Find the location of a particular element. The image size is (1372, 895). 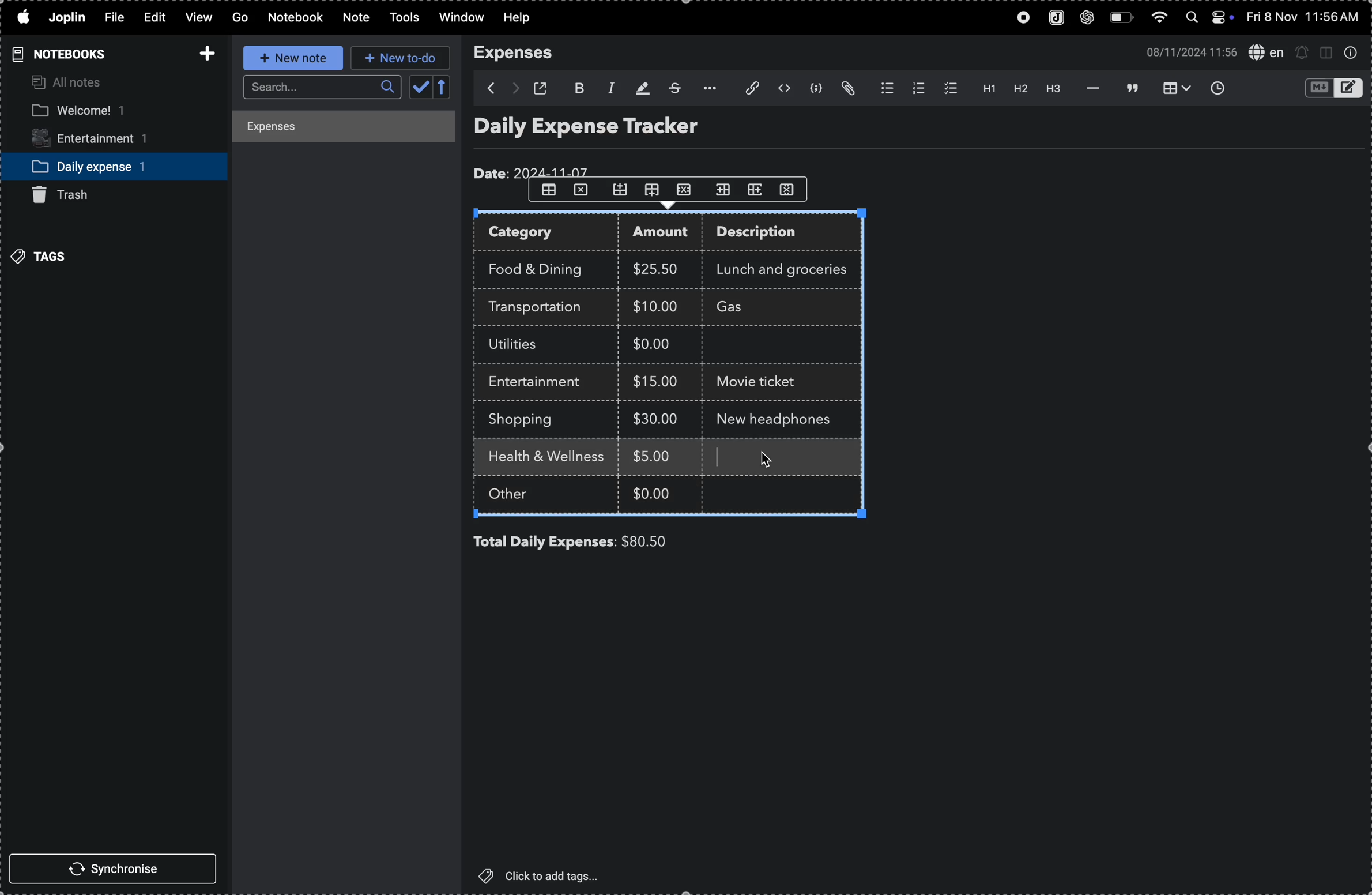

shift coloumn to right is located at coordinates (723, 189).